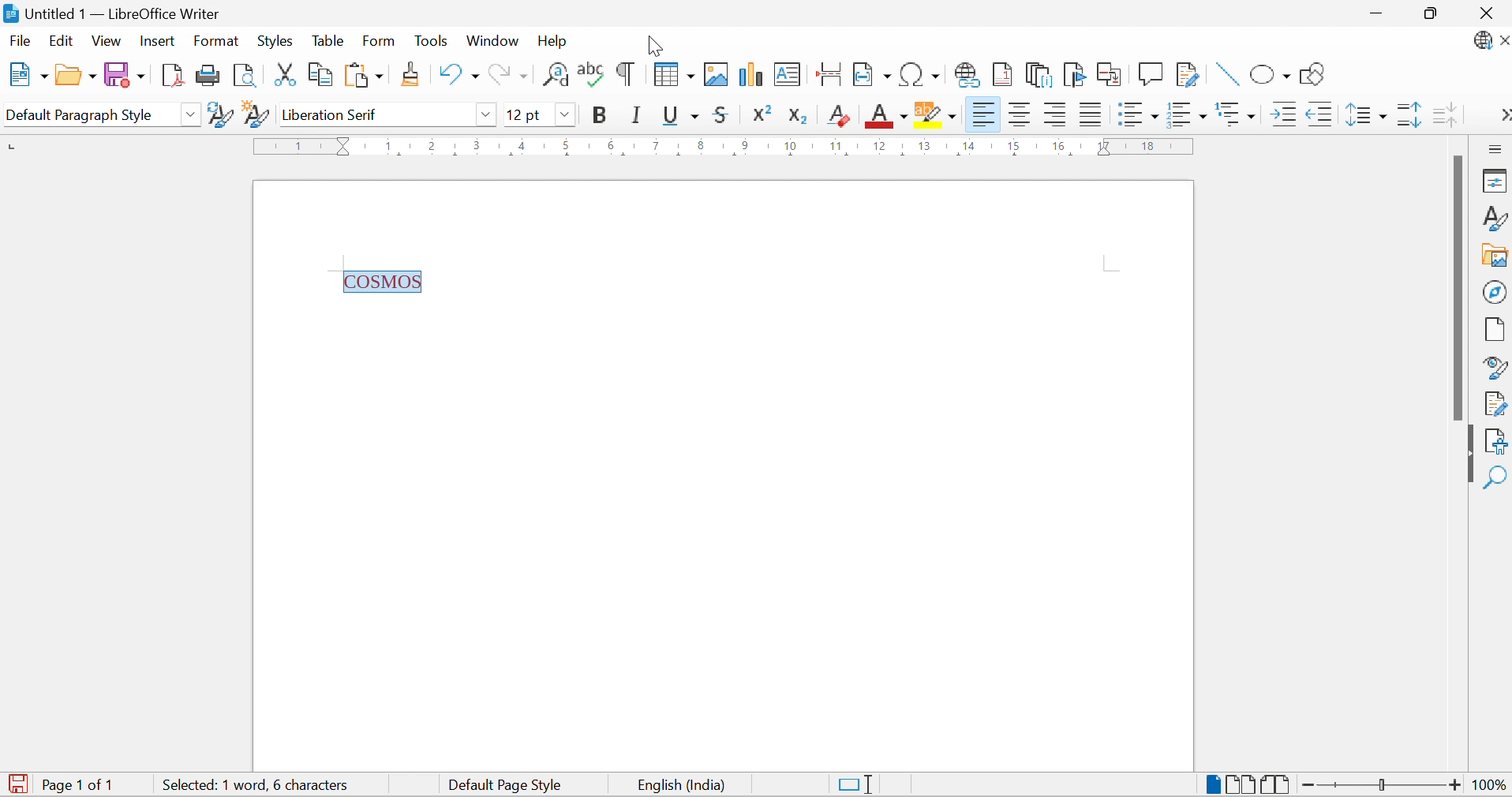 This screenshot has height=797, width=1512. Describe the element at coordinates (556, 40) in the screenshot. I see `Help` at that location.